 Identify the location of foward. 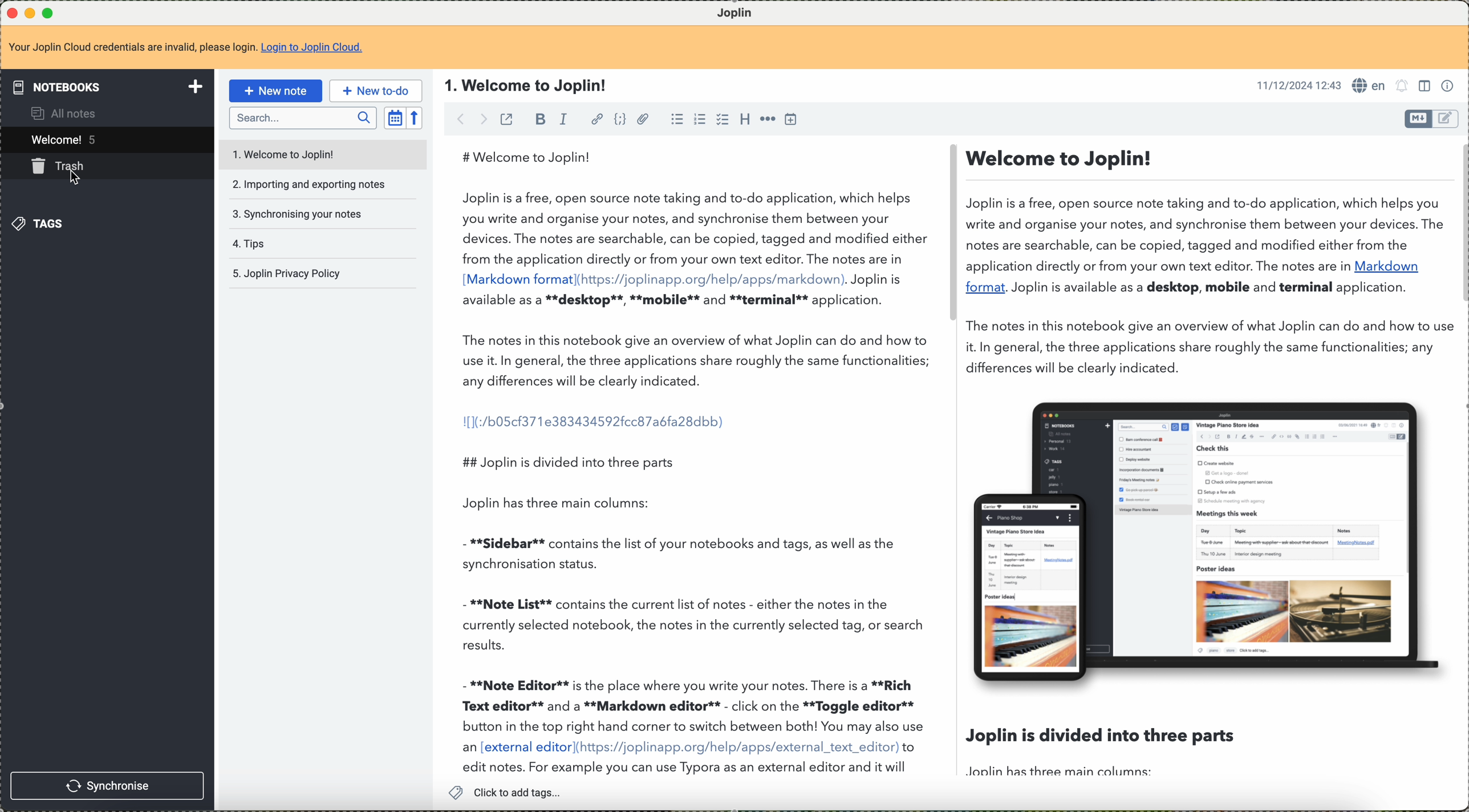
(486, 118).